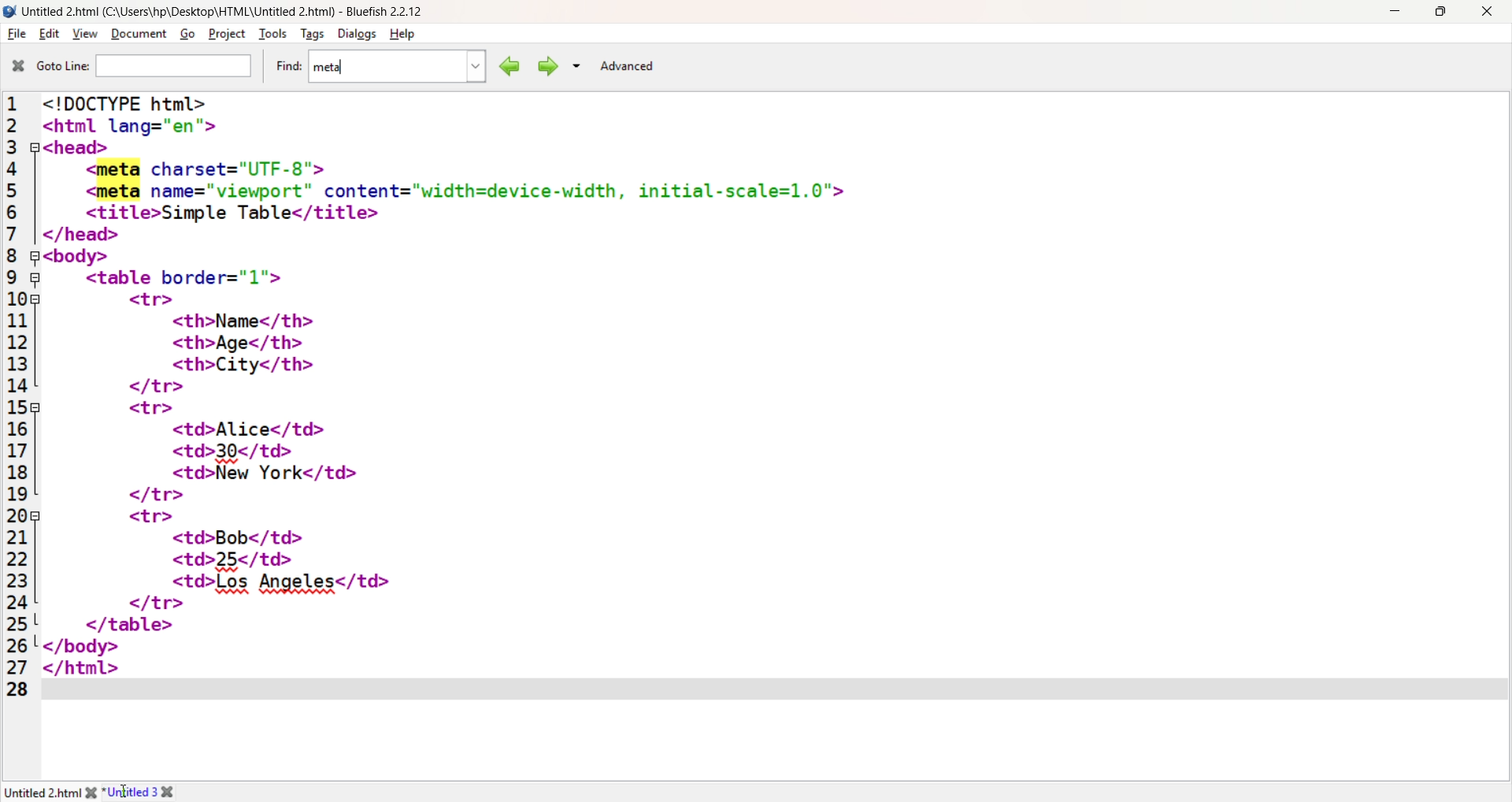  I want to click on Tools, so click(272, 34).